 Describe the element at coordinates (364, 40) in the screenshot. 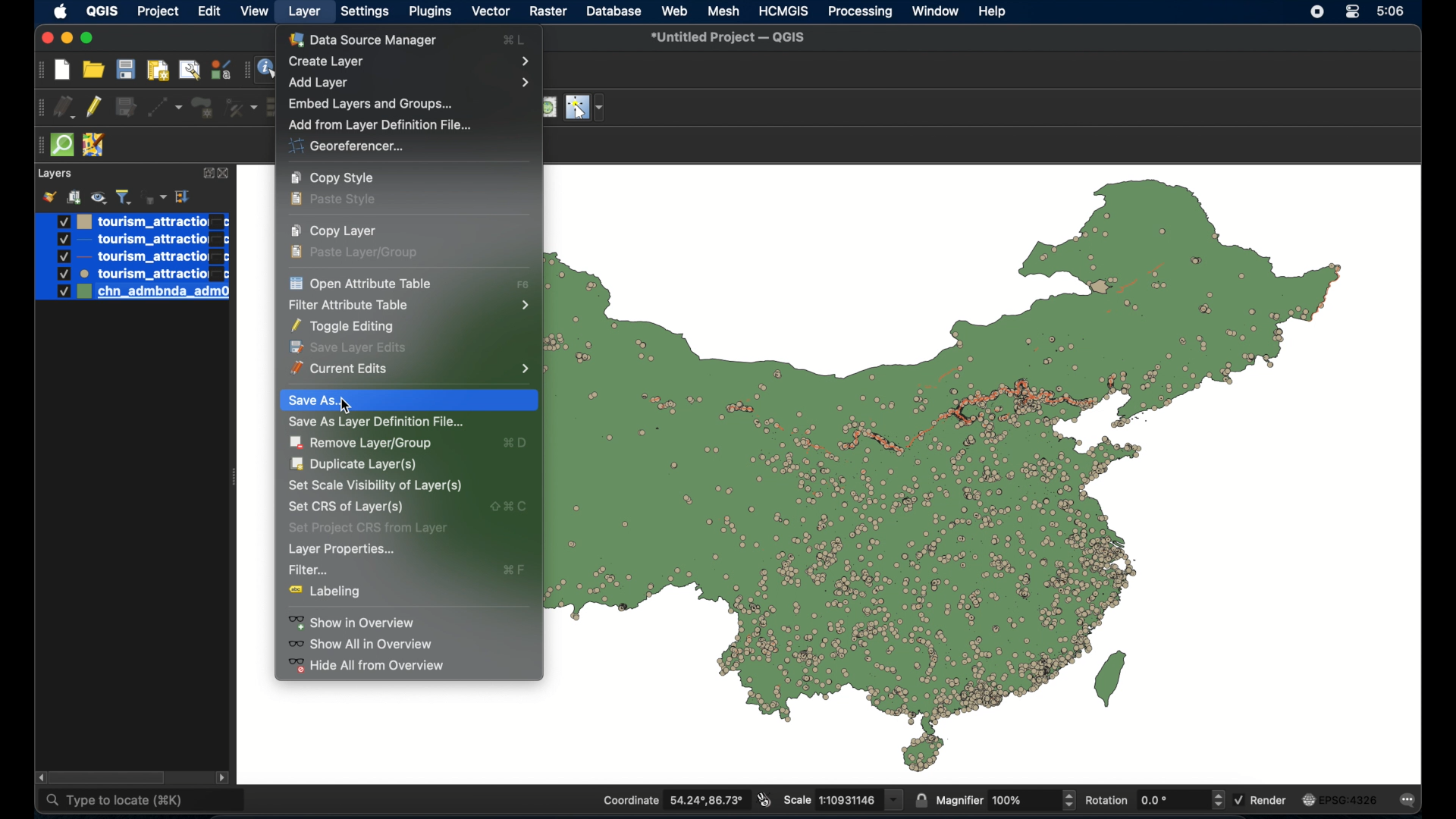

I see `data source manager ` at that location.